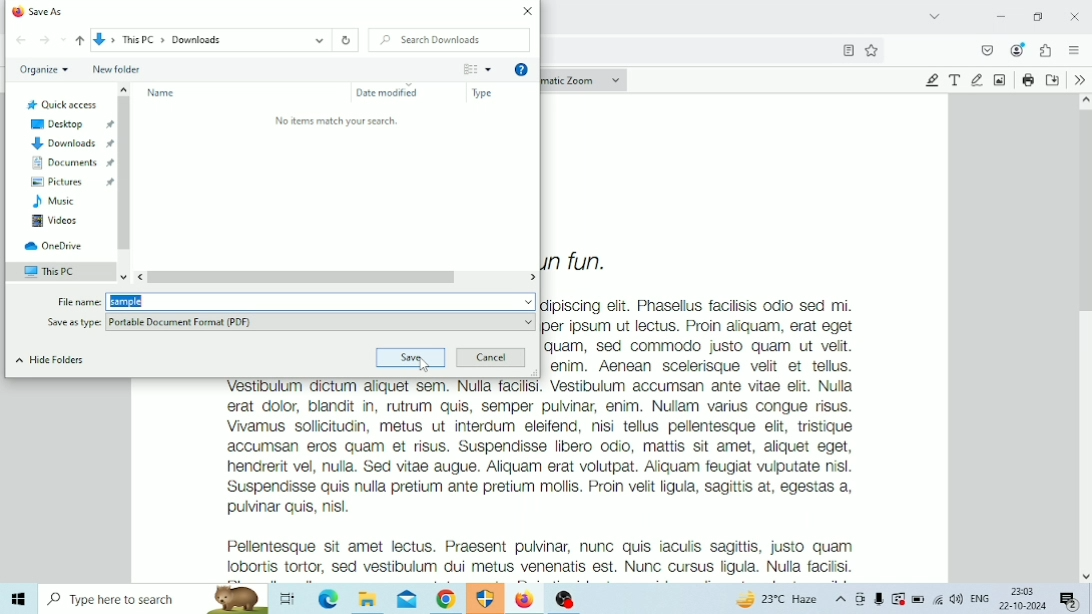 The width and height of the screenshot is (1092, 614). What do you see at coordinates (286, 598) in the screenshot?
I see `Task View` at bounding box center [286, 598].